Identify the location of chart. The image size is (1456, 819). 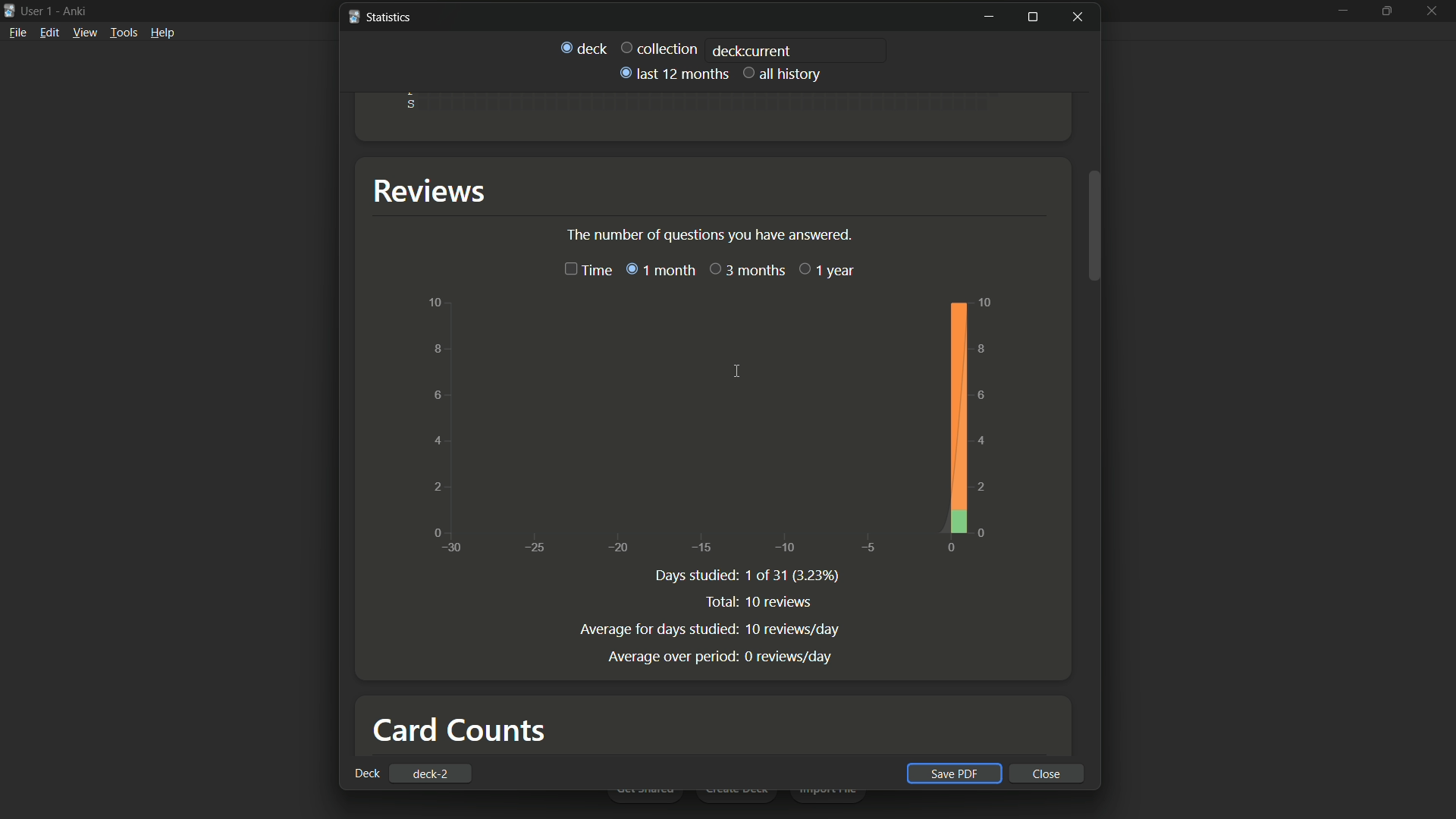
(711, 428).